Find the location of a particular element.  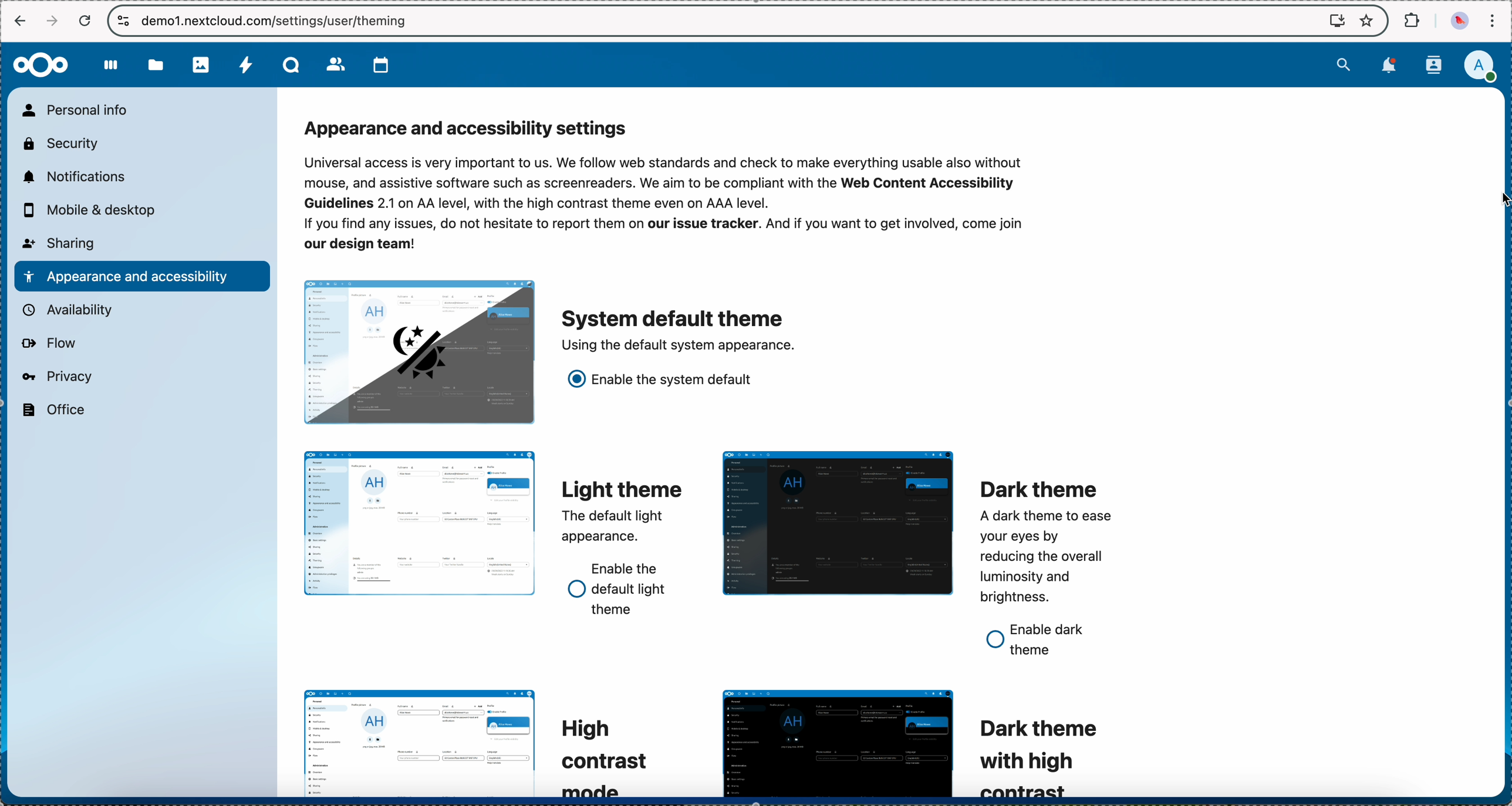

privacy is located at coordinates (59, 377).